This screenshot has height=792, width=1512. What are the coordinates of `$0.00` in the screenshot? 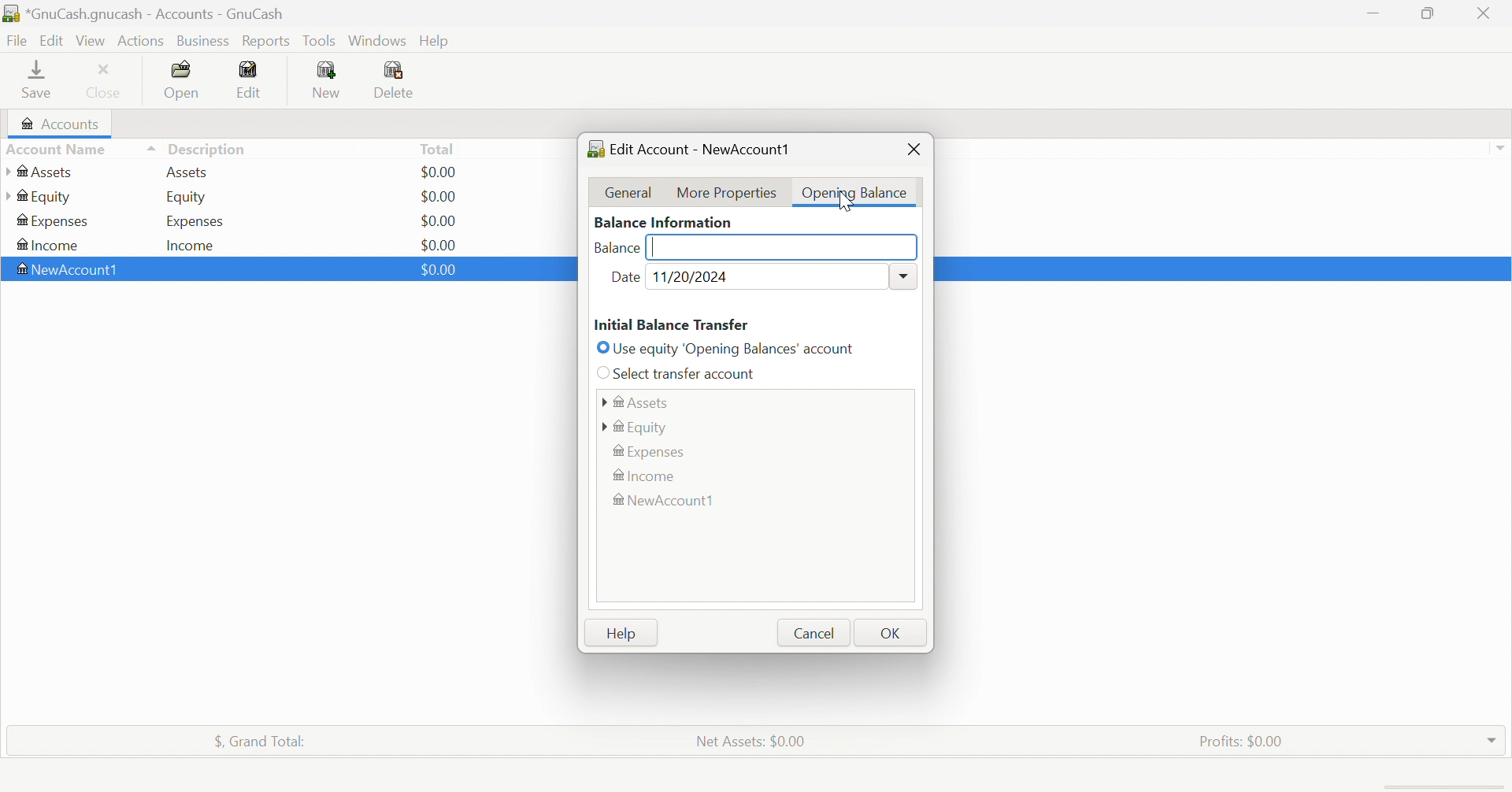 It's located at (442, 195).